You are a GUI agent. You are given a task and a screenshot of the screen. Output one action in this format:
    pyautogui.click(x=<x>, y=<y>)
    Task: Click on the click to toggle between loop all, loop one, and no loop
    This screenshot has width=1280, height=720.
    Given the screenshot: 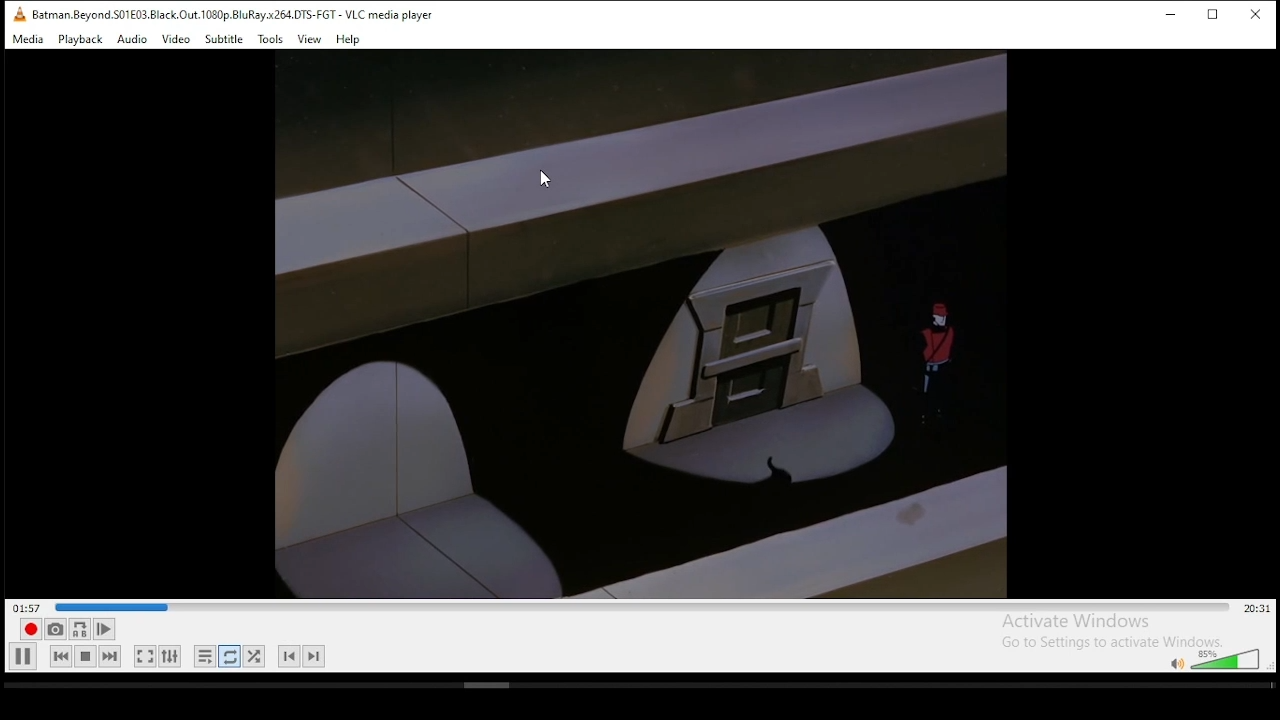 What is the action you would take?
    pyautogui.click(x=229, y=656)
    